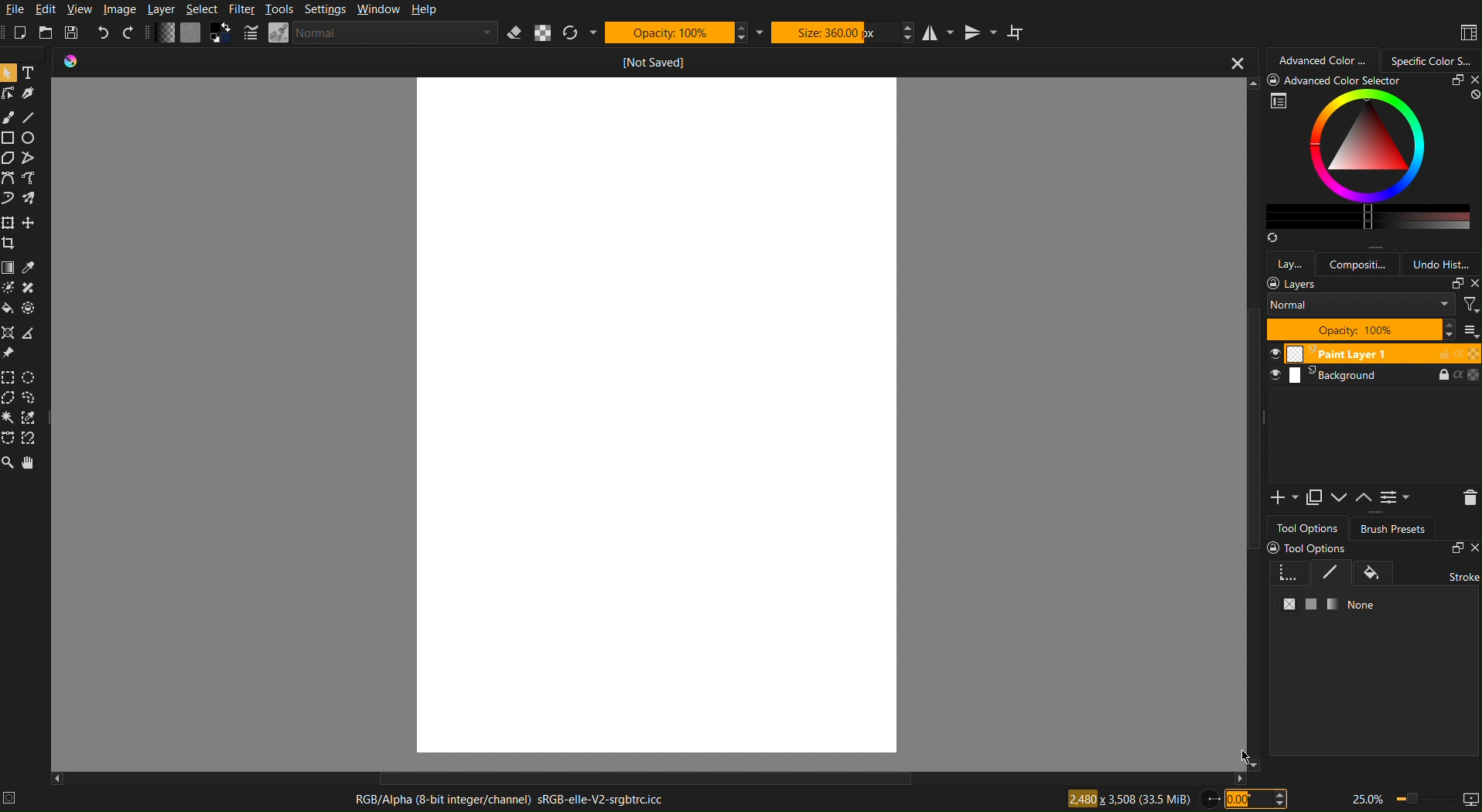 The height and width of the screenshot is (812, 1482). I want to click on Contiguous Selection Tool, so click(8, 418).